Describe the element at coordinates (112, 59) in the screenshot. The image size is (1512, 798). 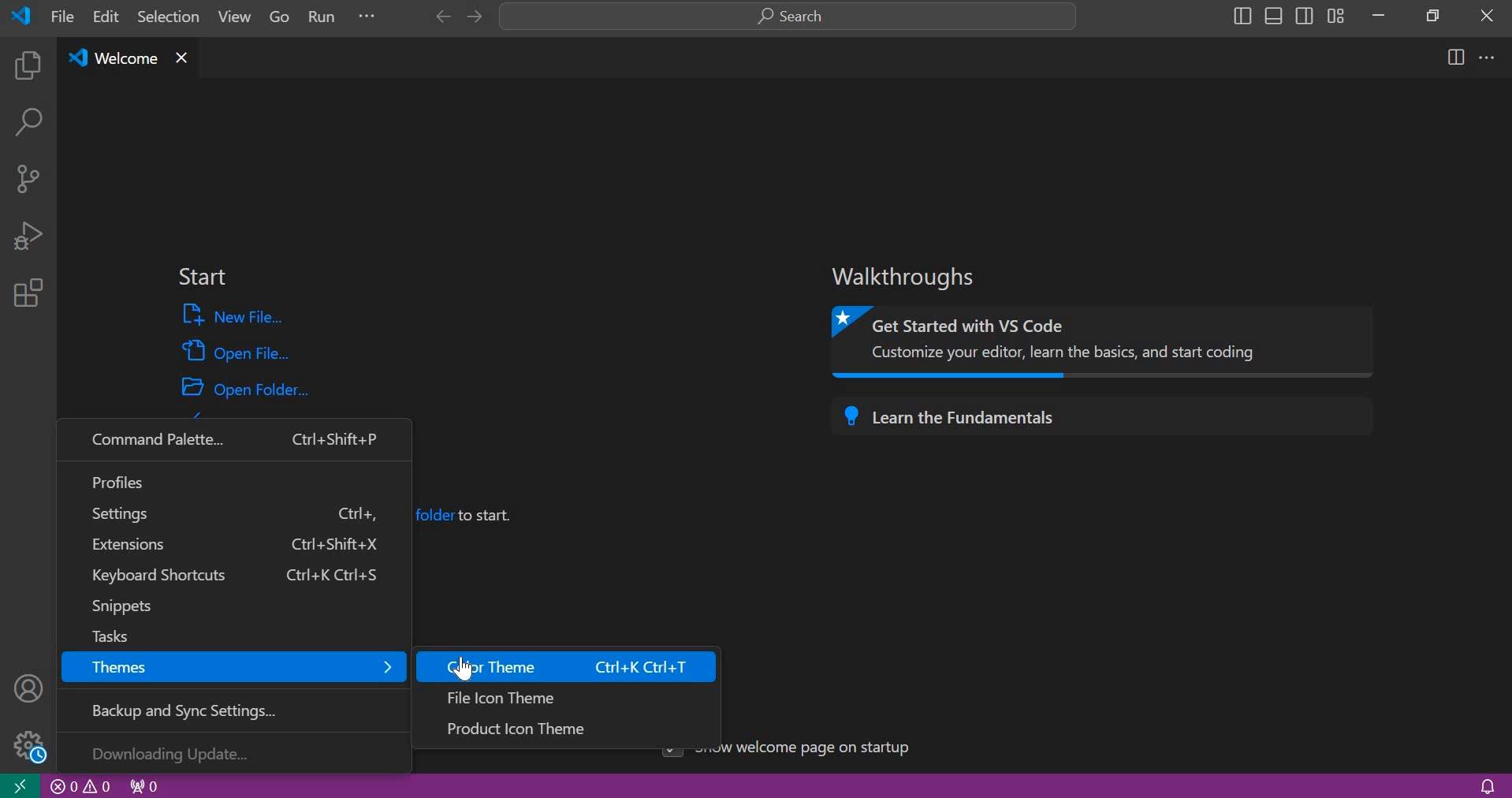
I see `welcome` at that location.